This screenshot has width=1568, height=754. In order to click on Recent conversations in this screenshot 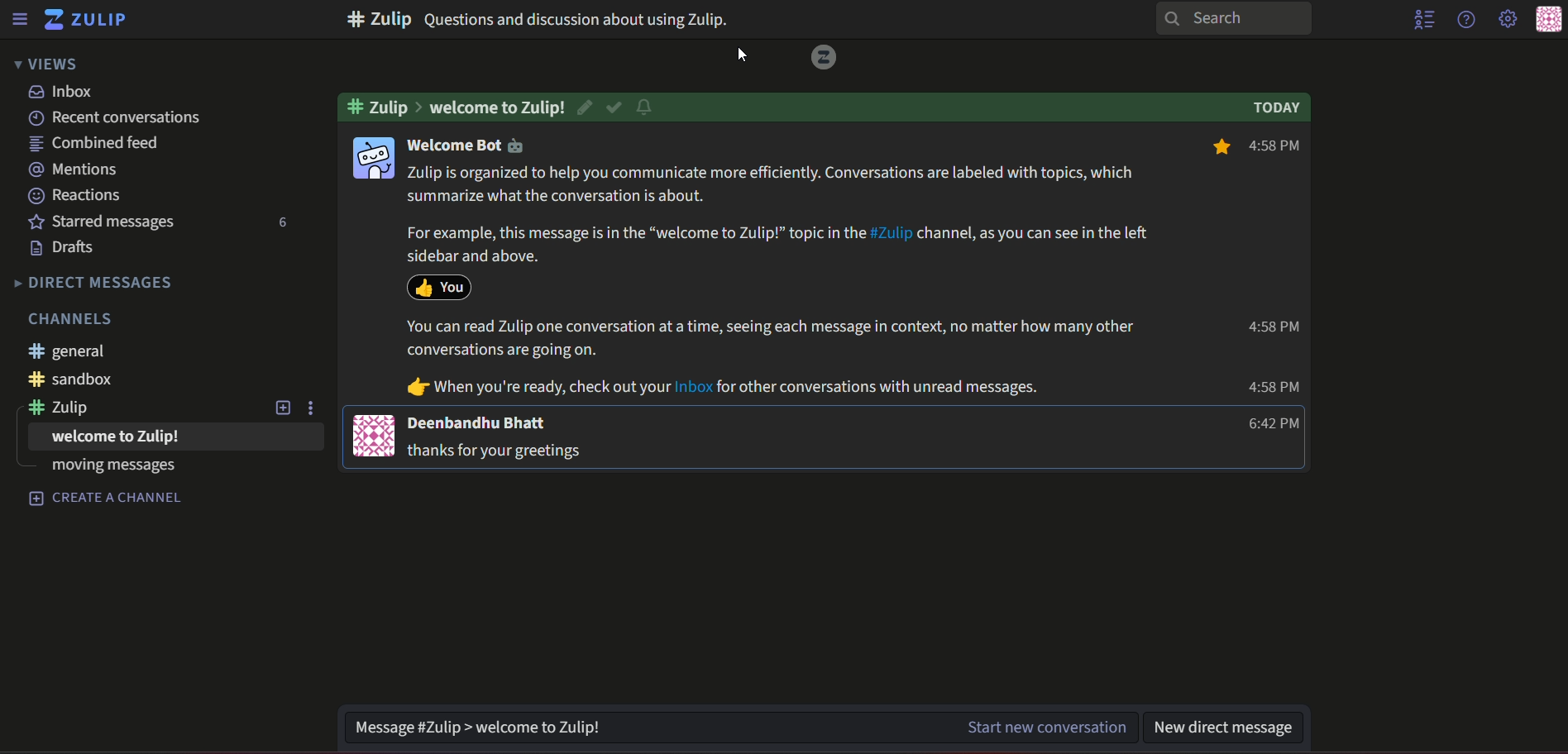, I will do `click(122, 118)`.